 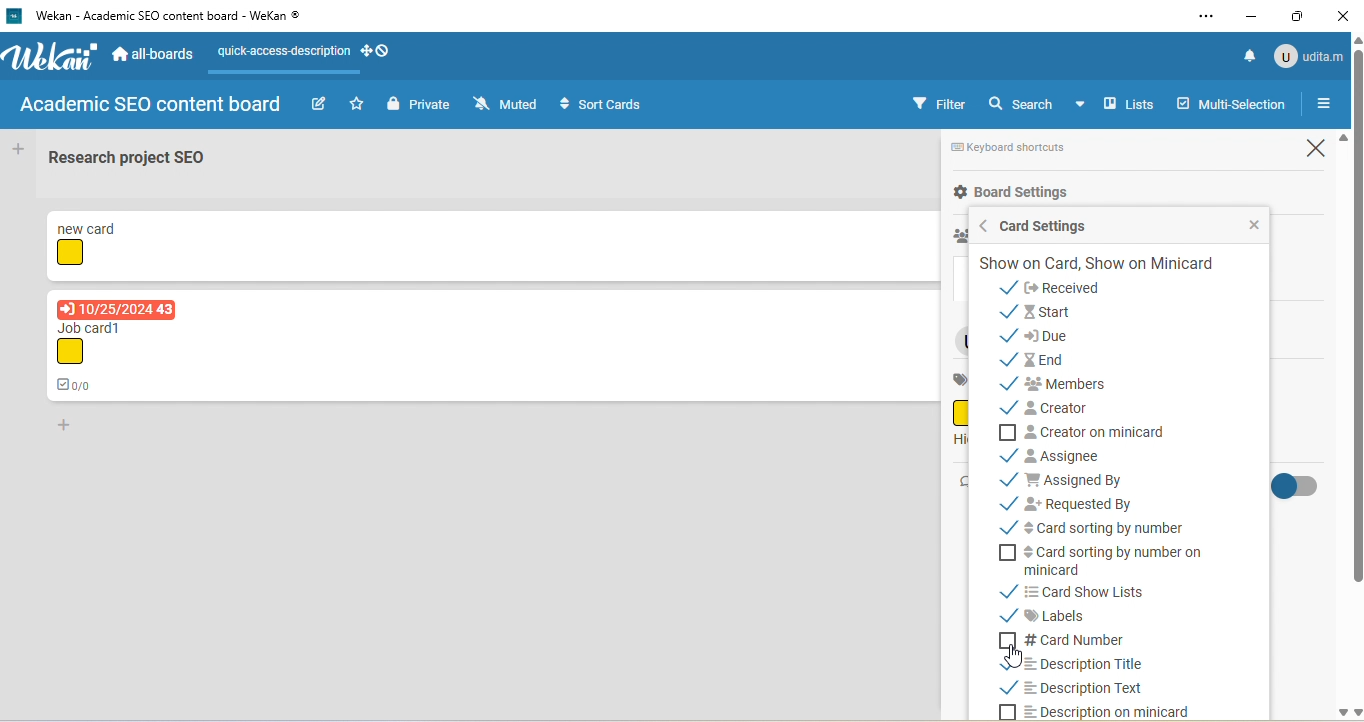 I want to click on received, so click(x=1069, y=288).